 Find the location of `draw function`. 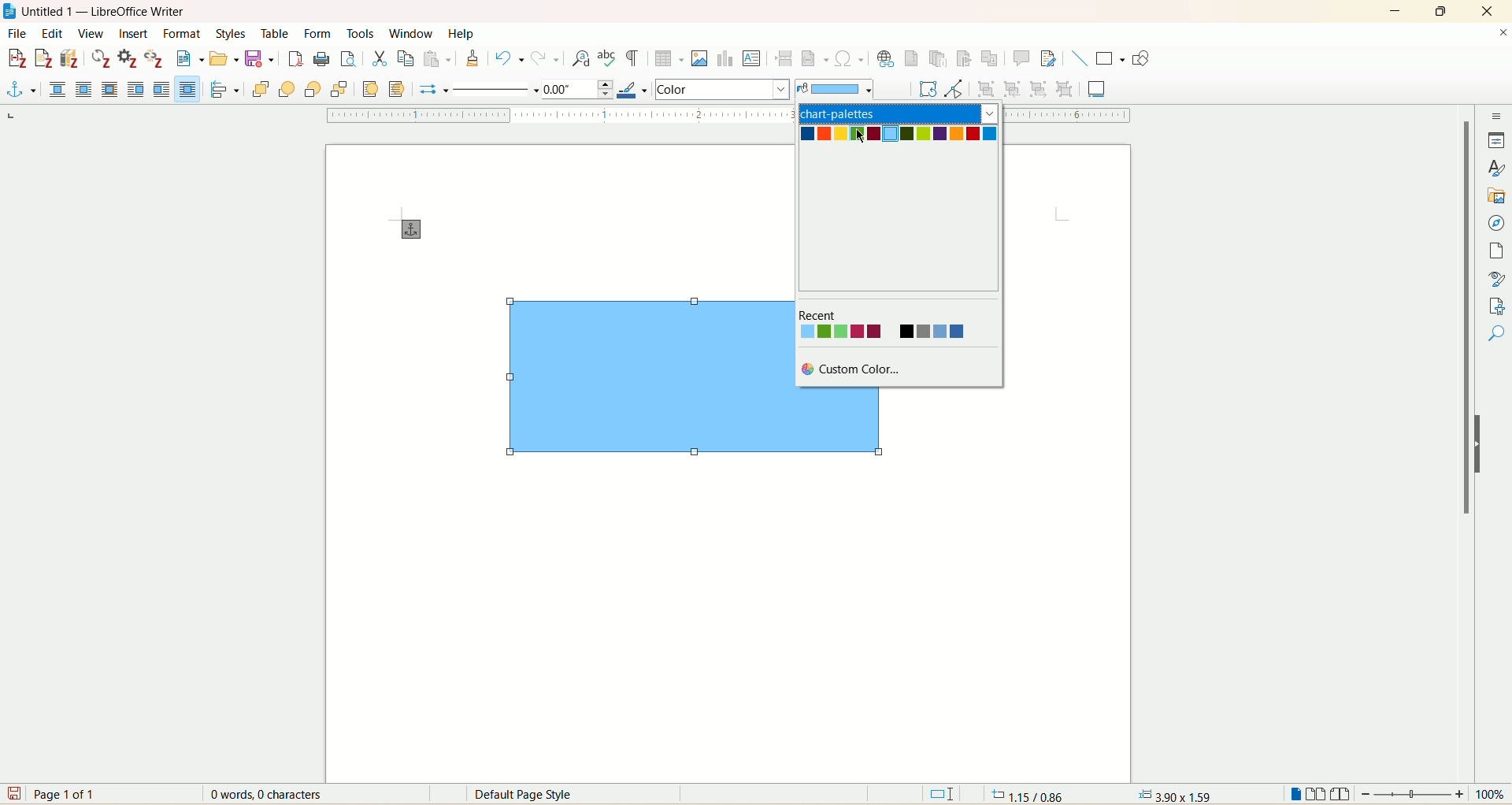

draw function is located at coordinates (1141, 61).